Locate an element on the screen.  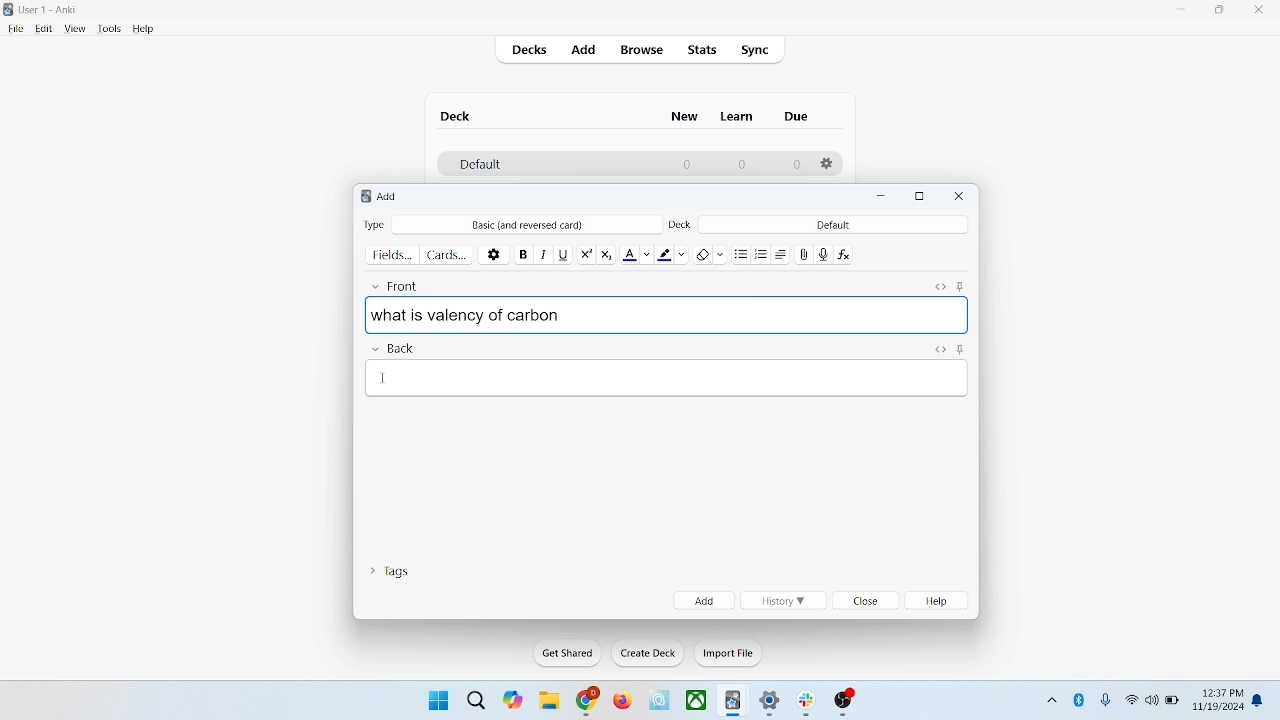
front is located at coordinates (399, 283).